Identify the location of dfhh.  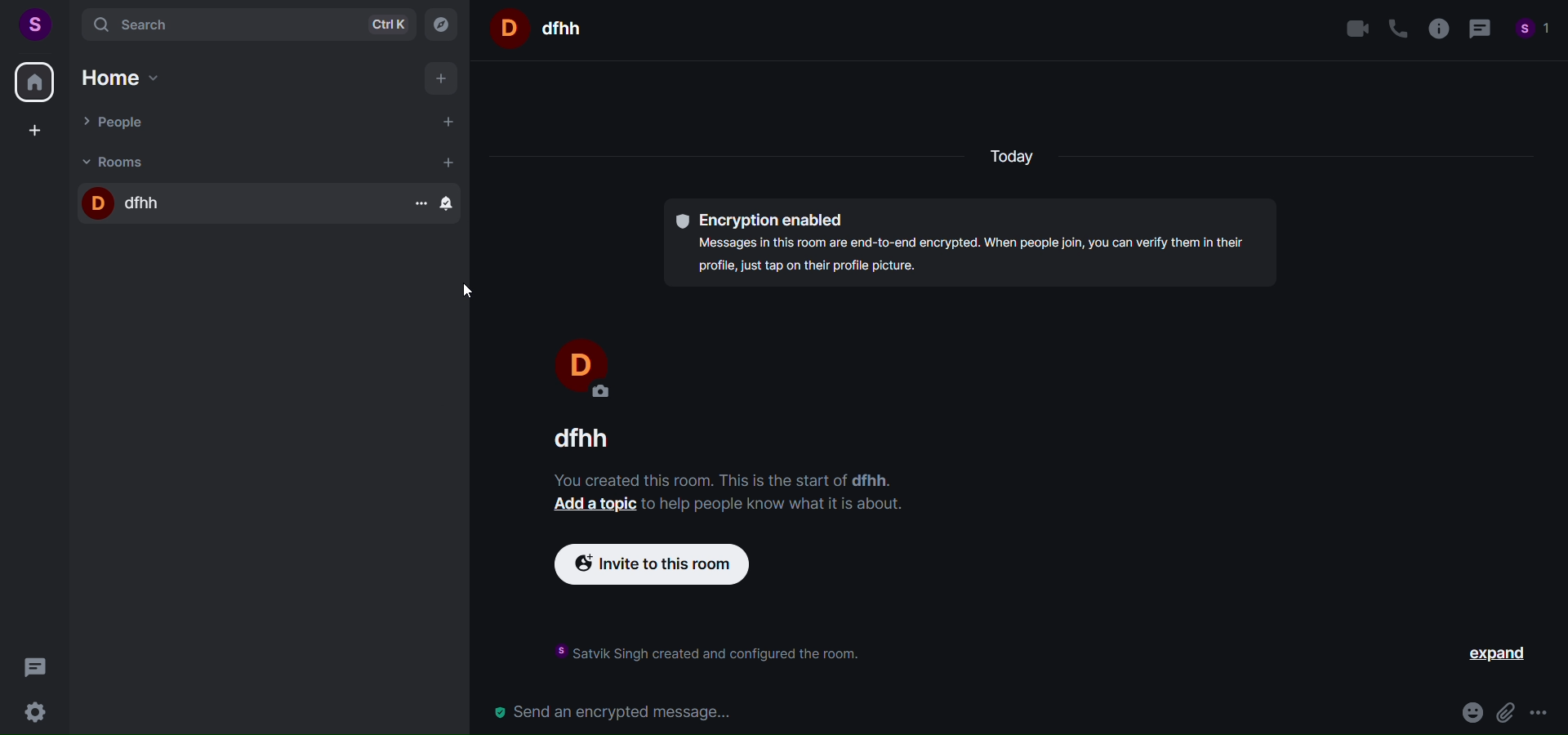
(563, 28).